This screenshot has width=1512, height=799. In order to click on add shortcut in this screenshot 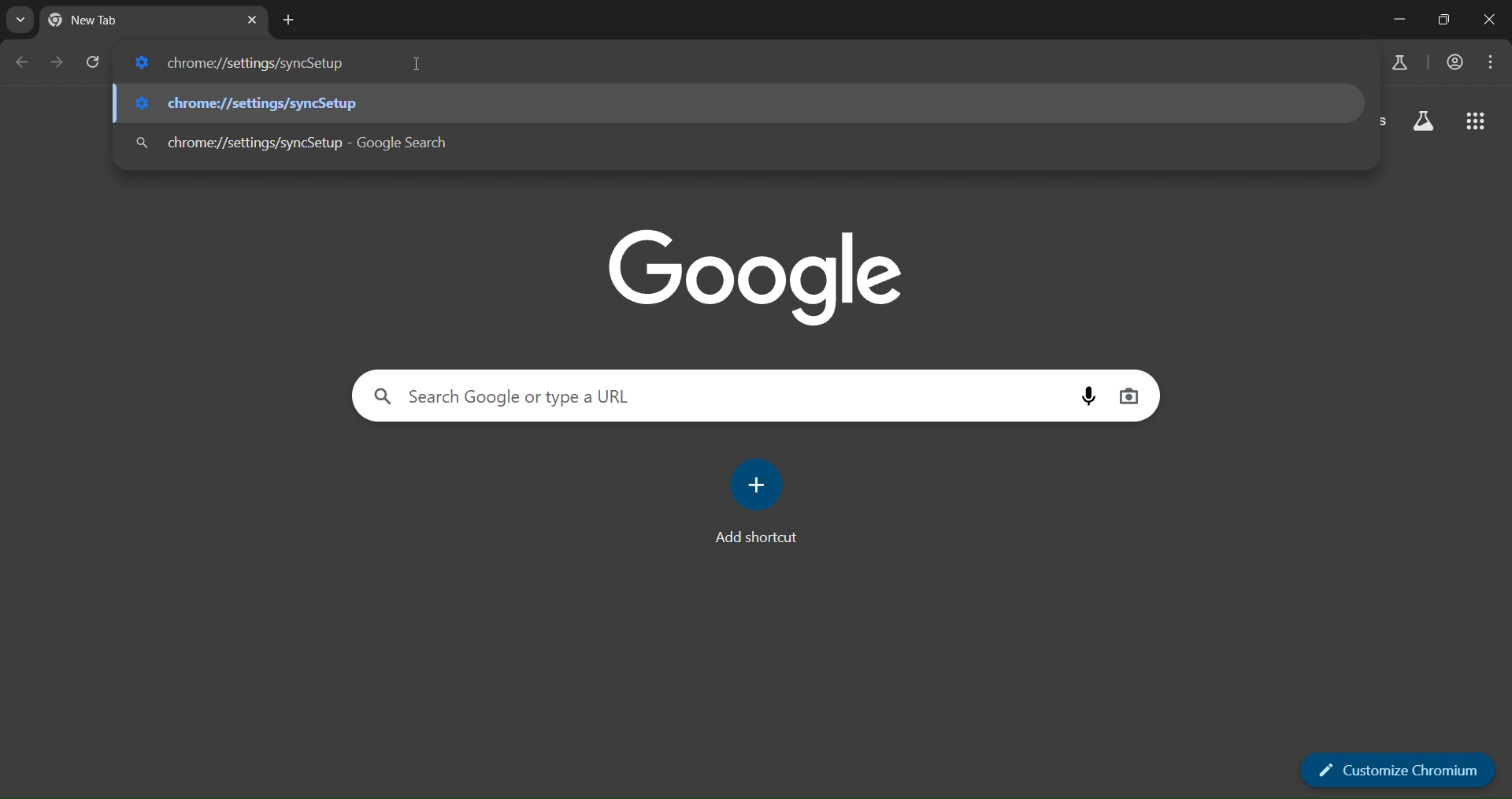, I will do `click(762, 504)`.